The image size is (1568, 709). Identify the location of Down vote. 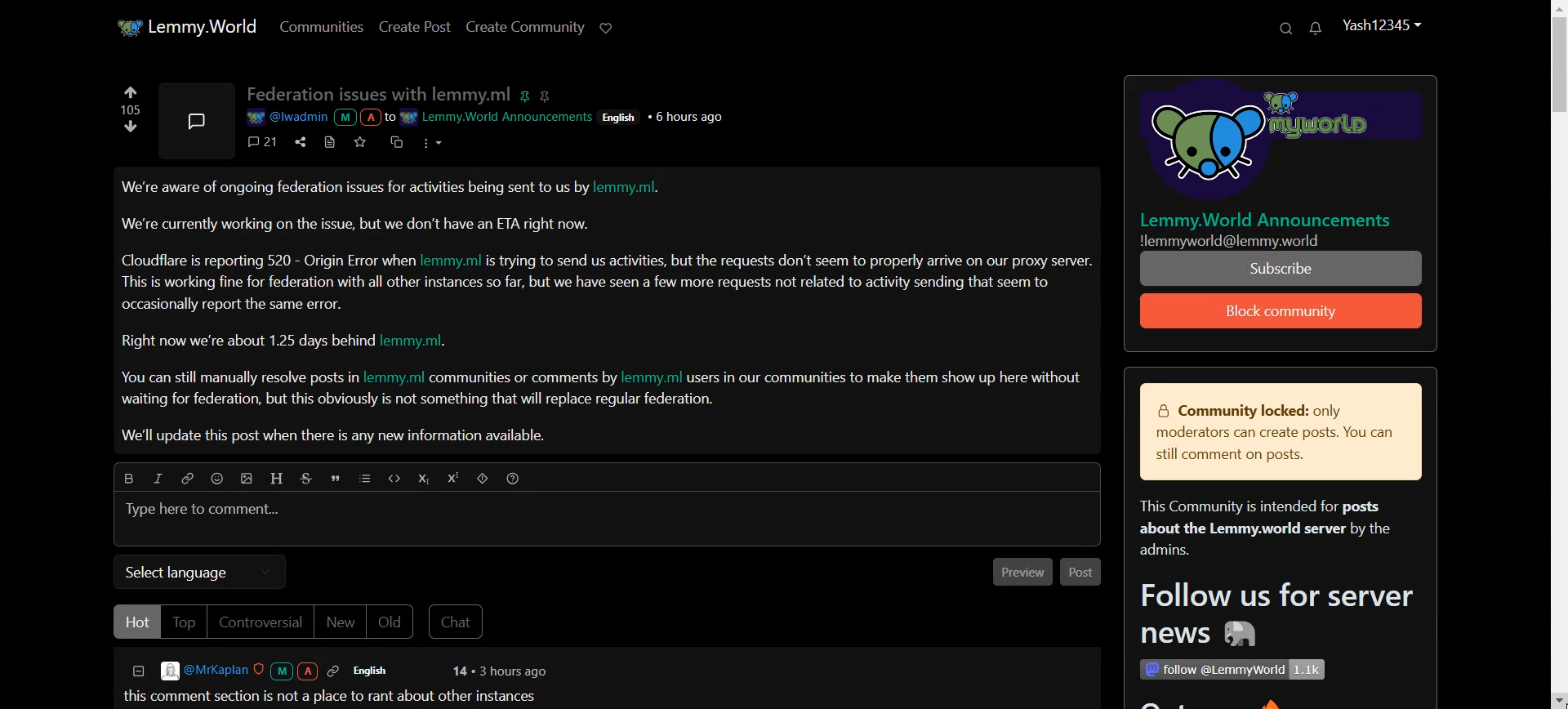
(131, 127).